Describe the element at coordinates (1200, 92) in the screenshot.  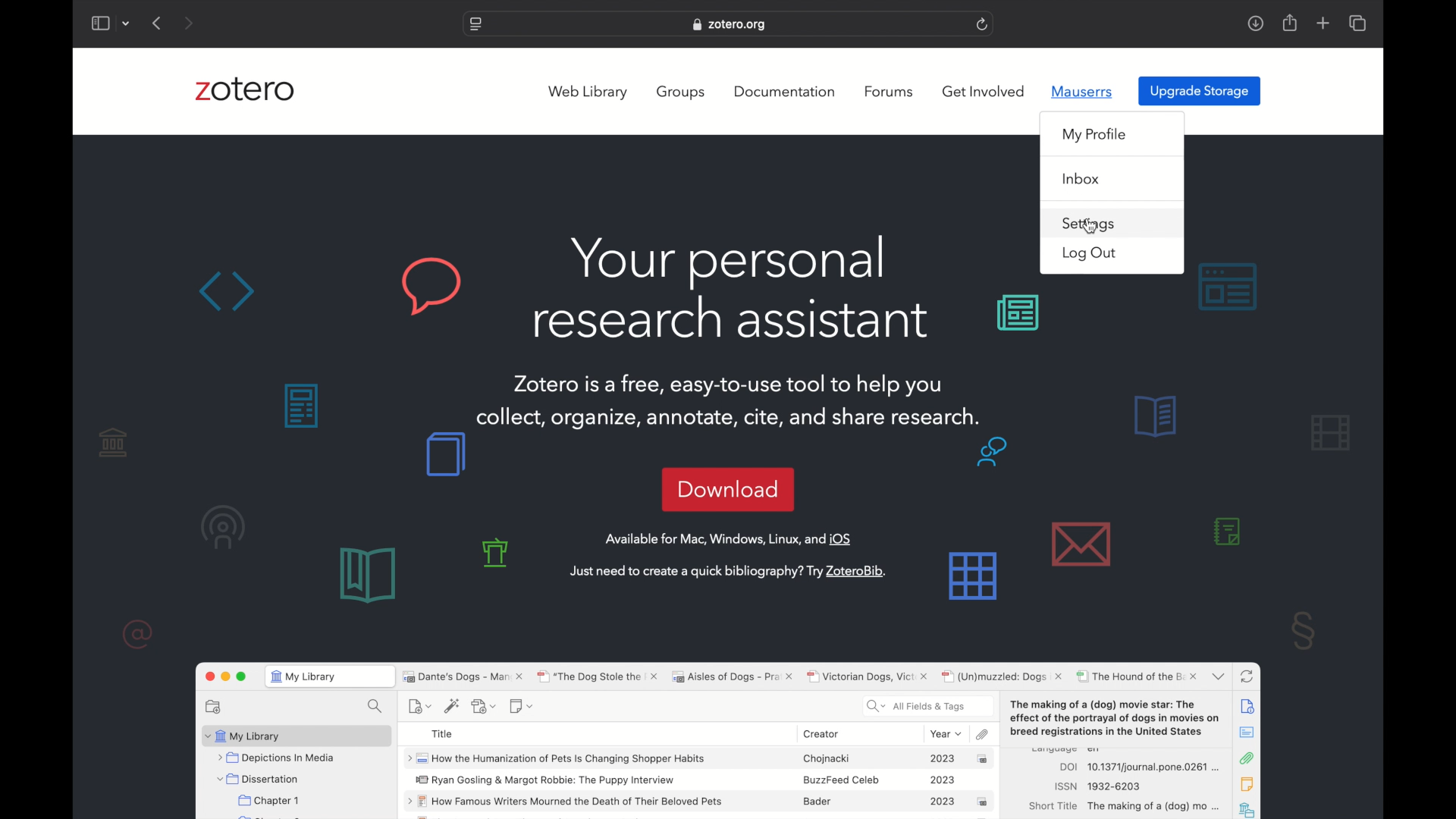
I see `upgrade storage` at that location.